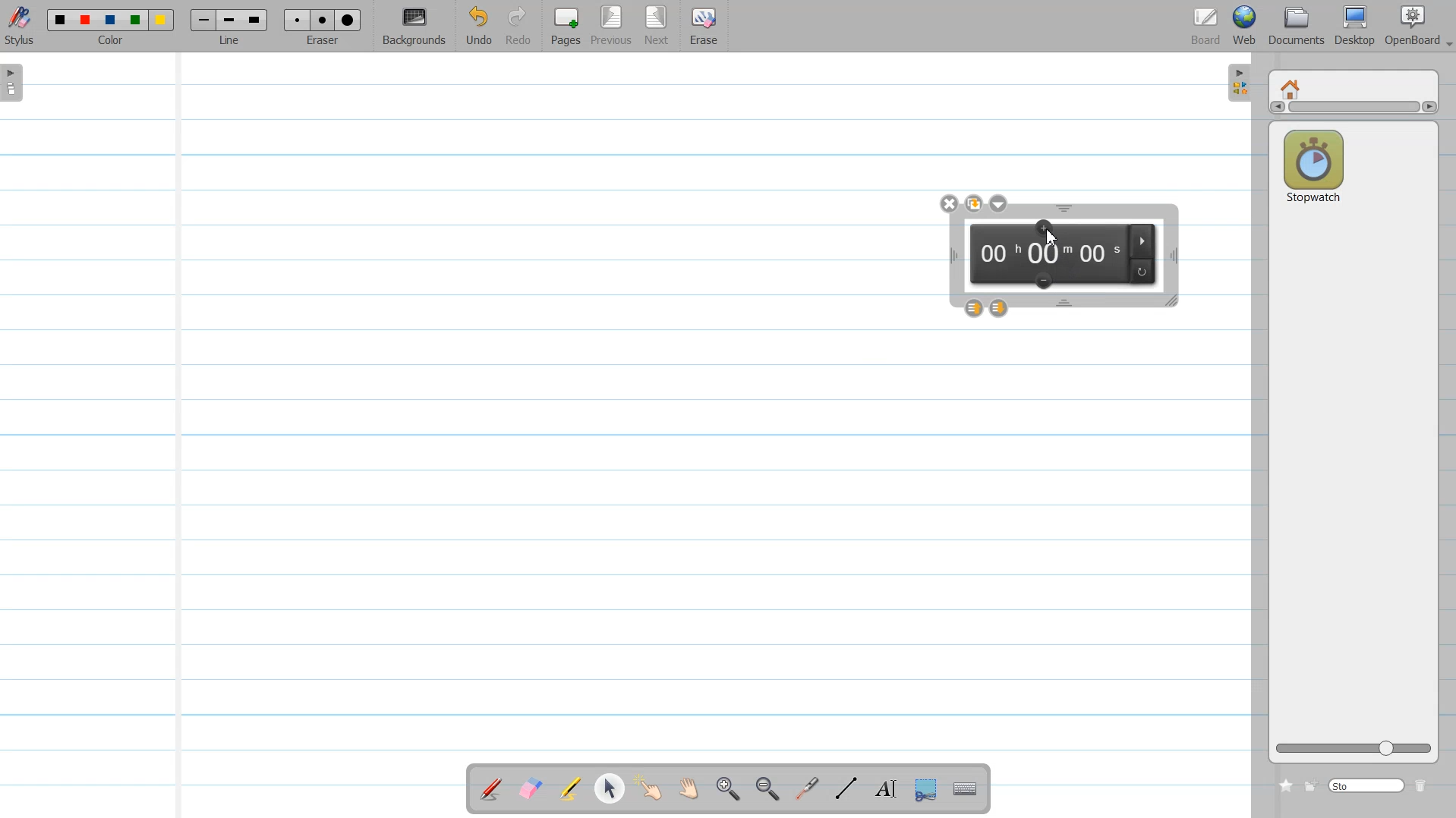 The image size is (1456, 818). What do you see at coordinates (519, 27) in the screenshot?
I see `Redo` at bounding box center [519, 27].